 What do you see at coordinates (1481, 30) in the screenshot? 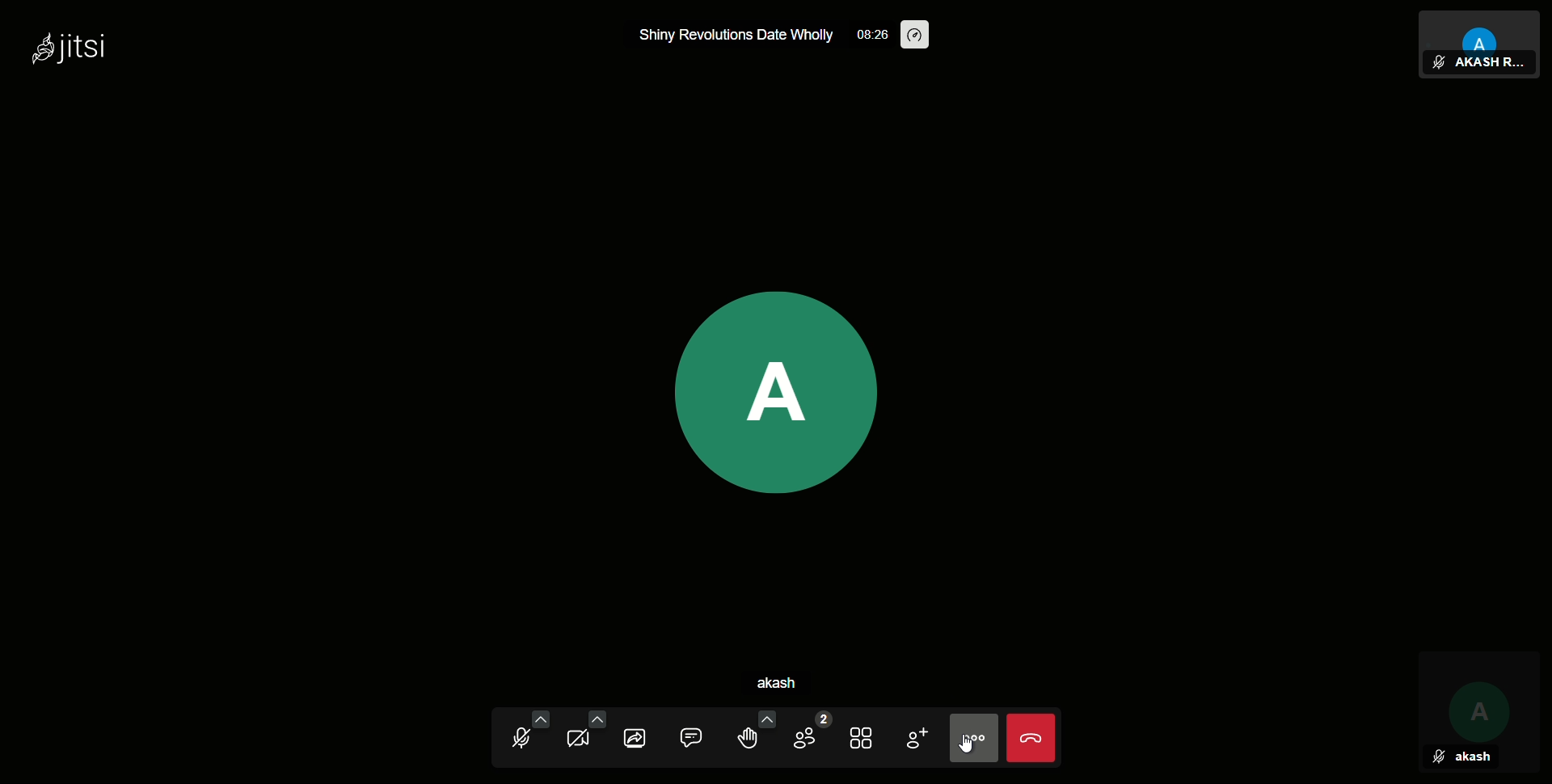
I see `participant` at bounding box center [1481, 30].